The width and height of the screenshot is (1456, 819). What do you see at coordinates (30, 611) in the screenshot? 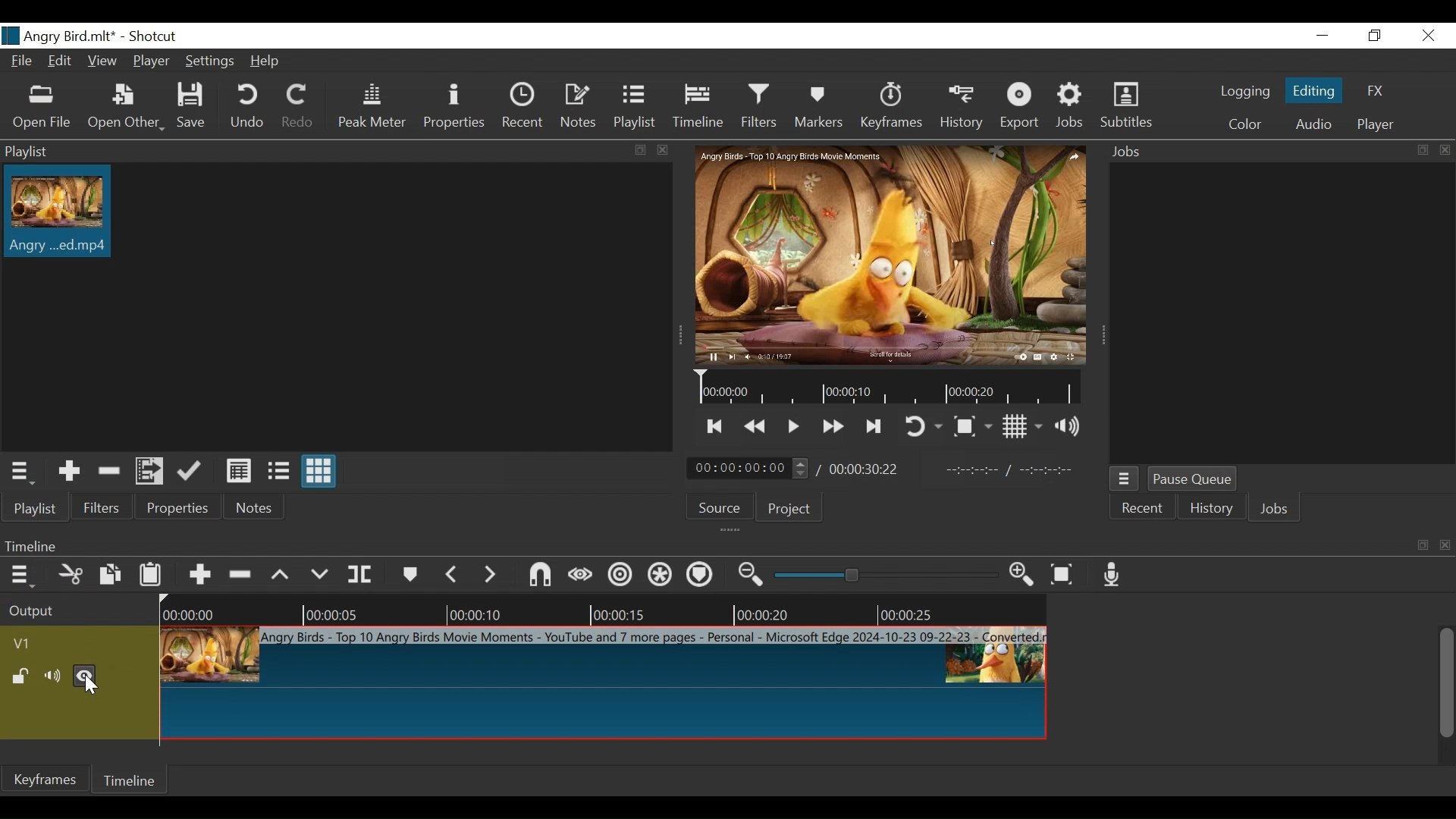
I see `Output` at bounding box center [30, 611].